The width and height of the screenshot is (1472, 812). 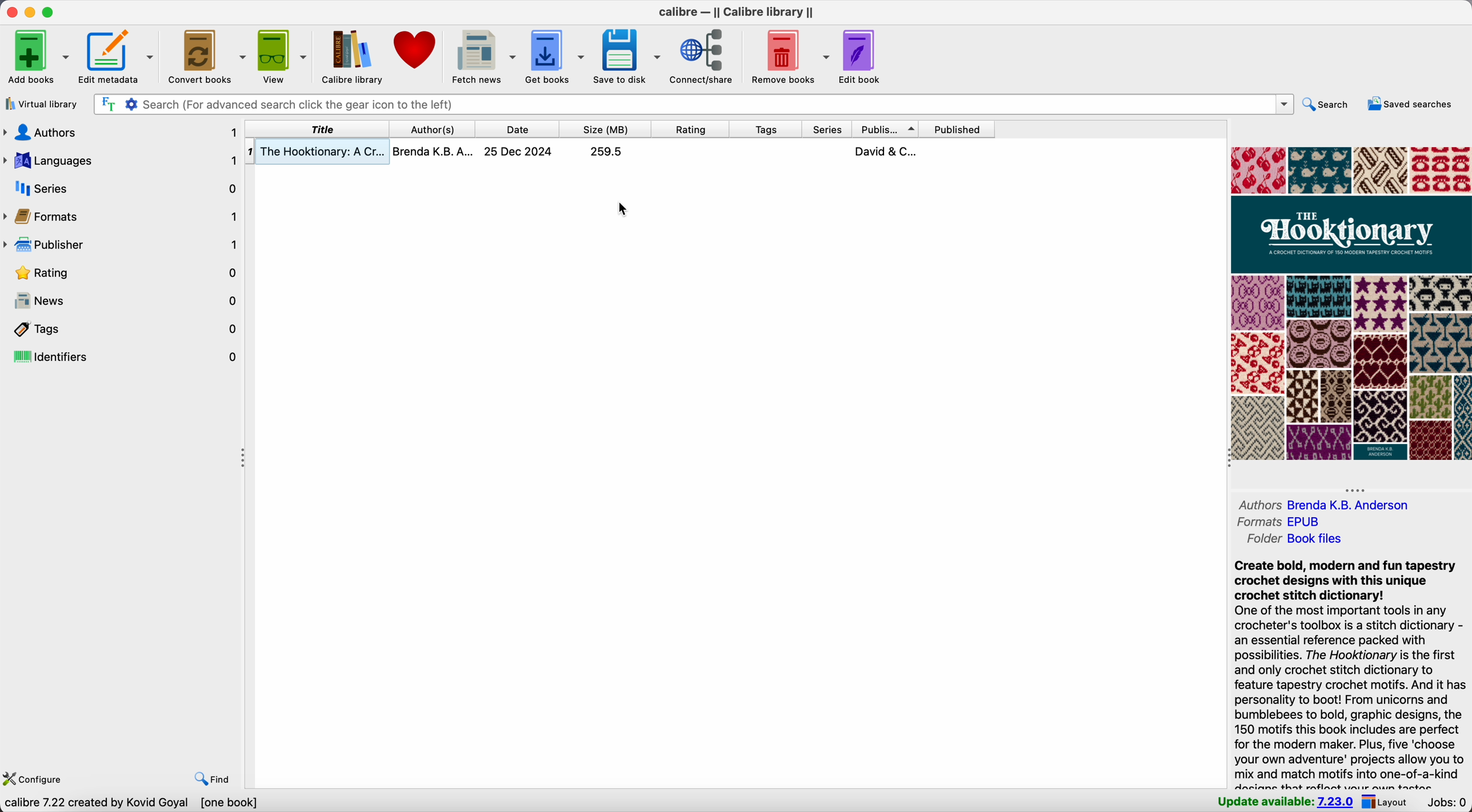 I want to click on find, so click(x=207, y=777).